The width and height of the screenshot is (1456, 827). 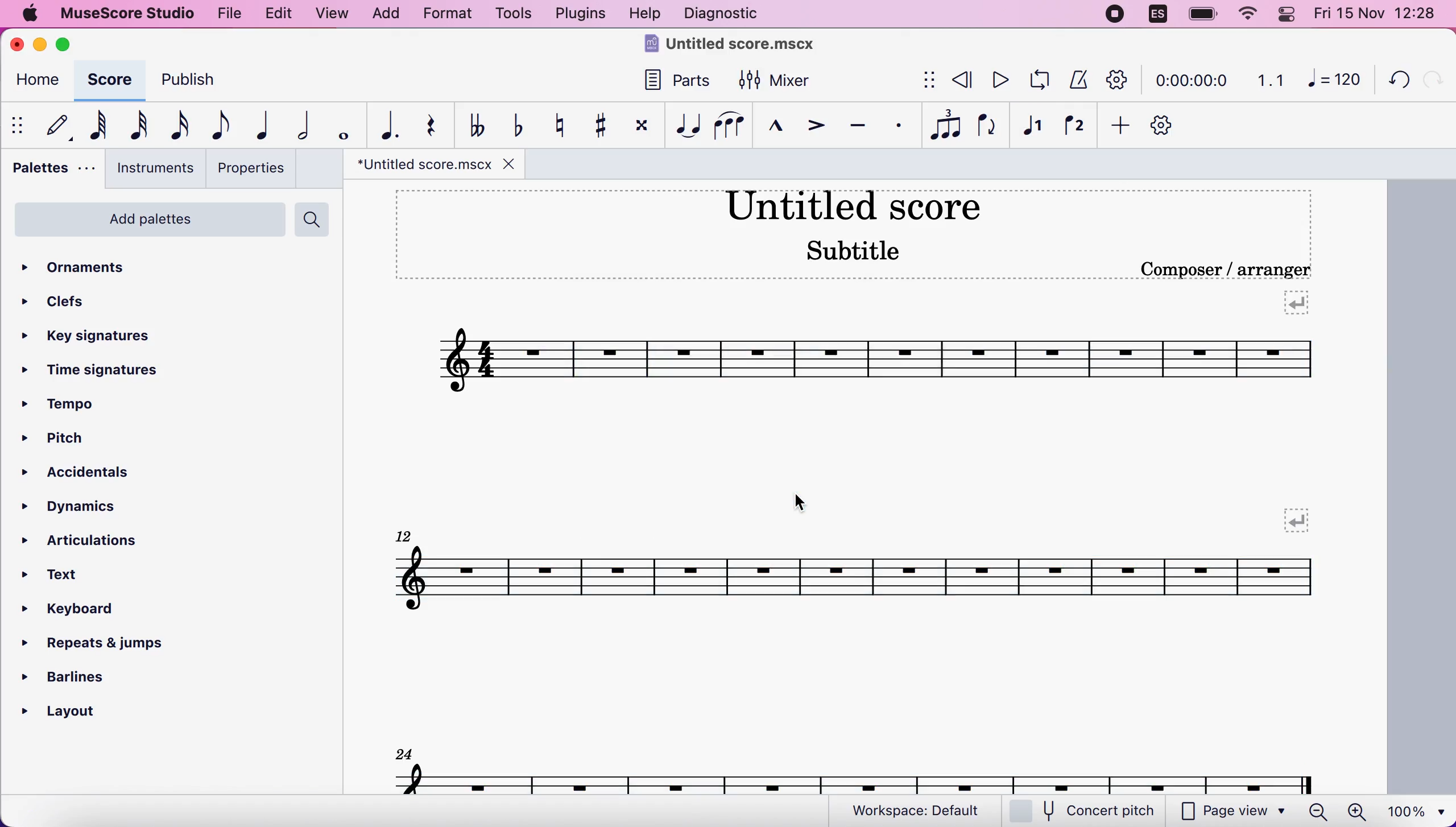 I want to click on breaks, so click(x=1296, y=521).